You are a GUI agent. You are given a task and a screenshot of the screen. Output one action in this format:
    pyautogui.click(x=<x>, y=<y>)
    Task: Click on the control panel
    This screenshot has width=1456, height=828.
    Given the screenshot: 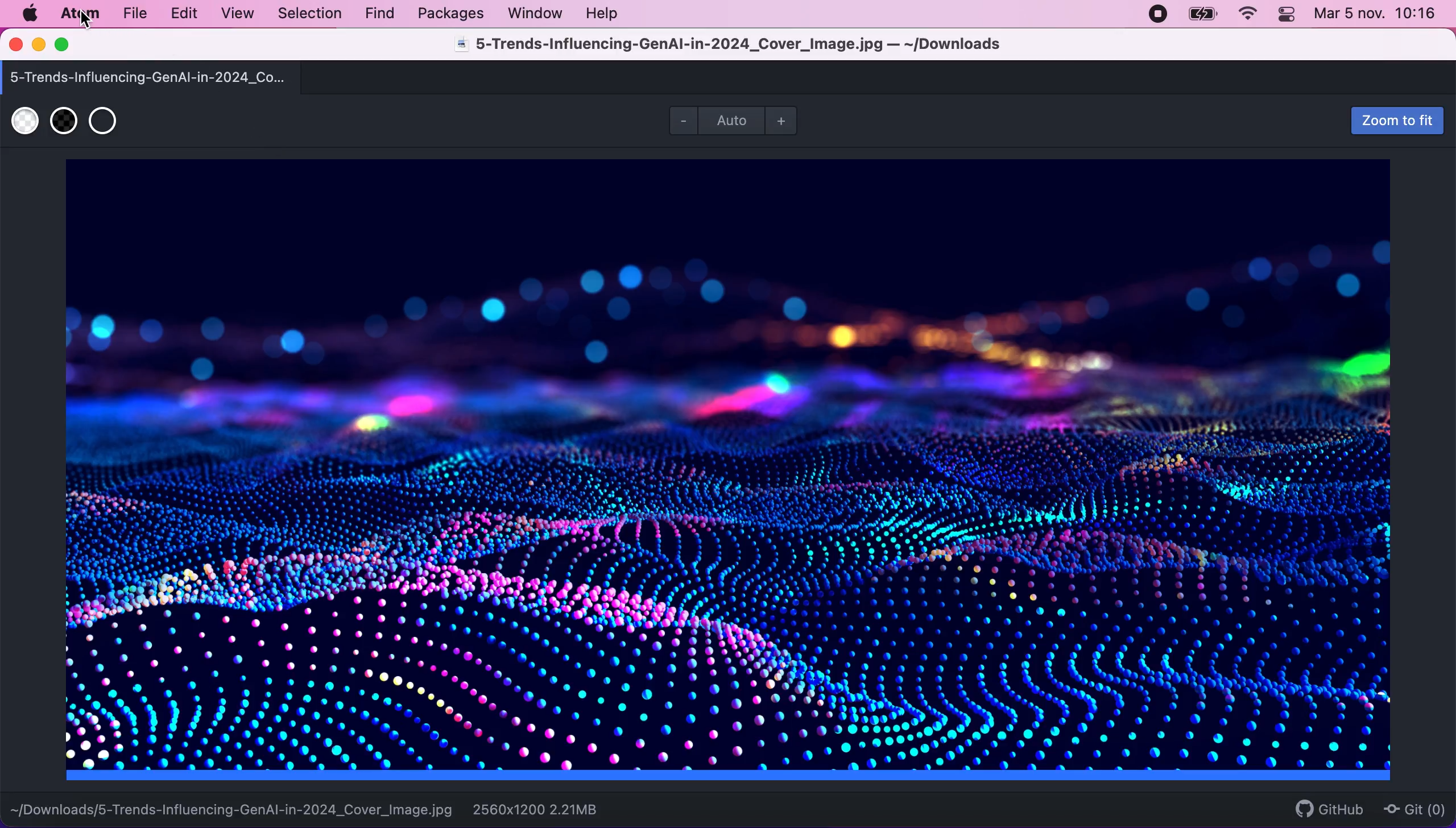 What is the action you would take?
    pyautogui.click(x=1288, y=16)
    